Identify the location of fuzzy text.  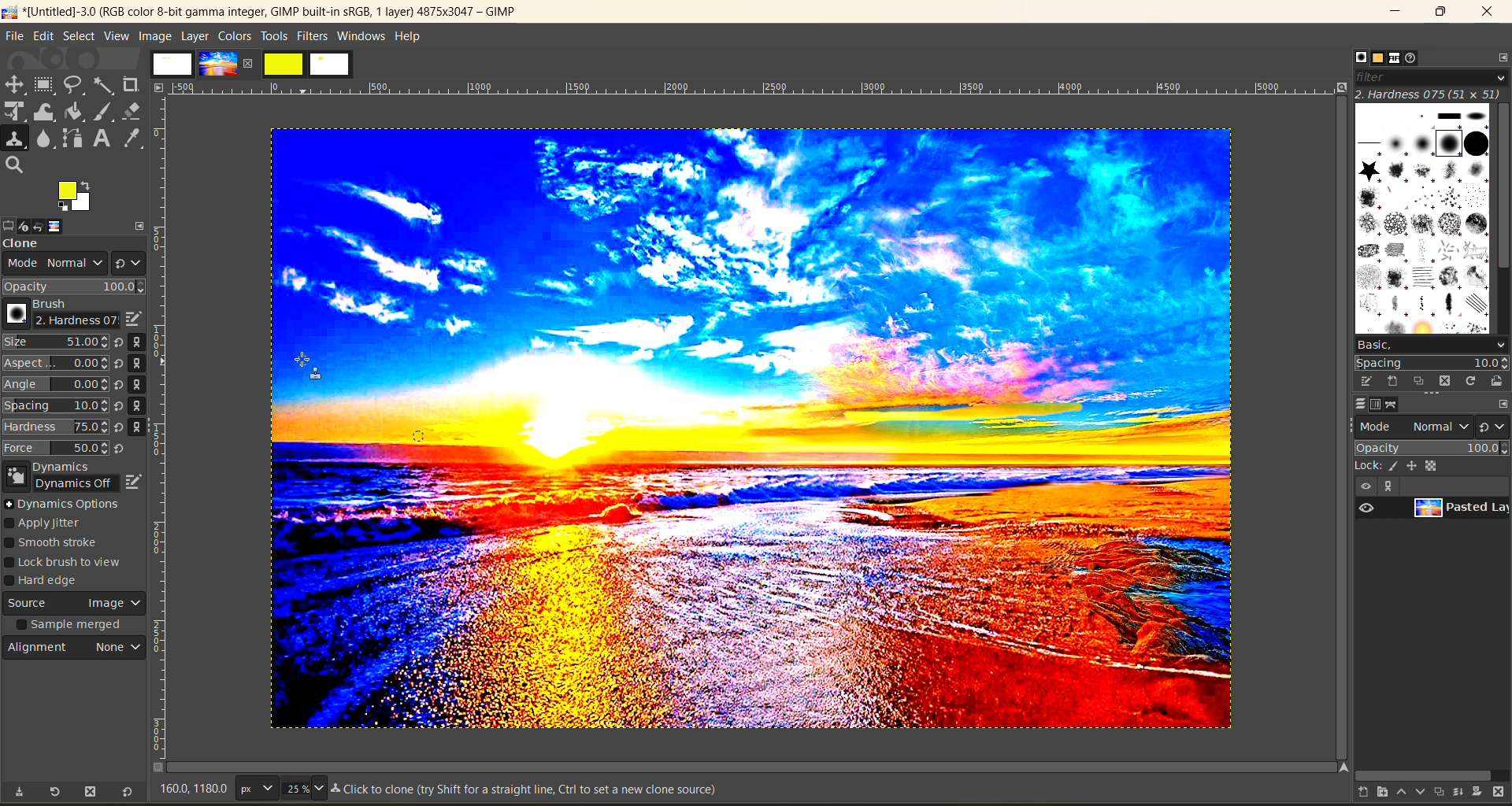
(105, 84).